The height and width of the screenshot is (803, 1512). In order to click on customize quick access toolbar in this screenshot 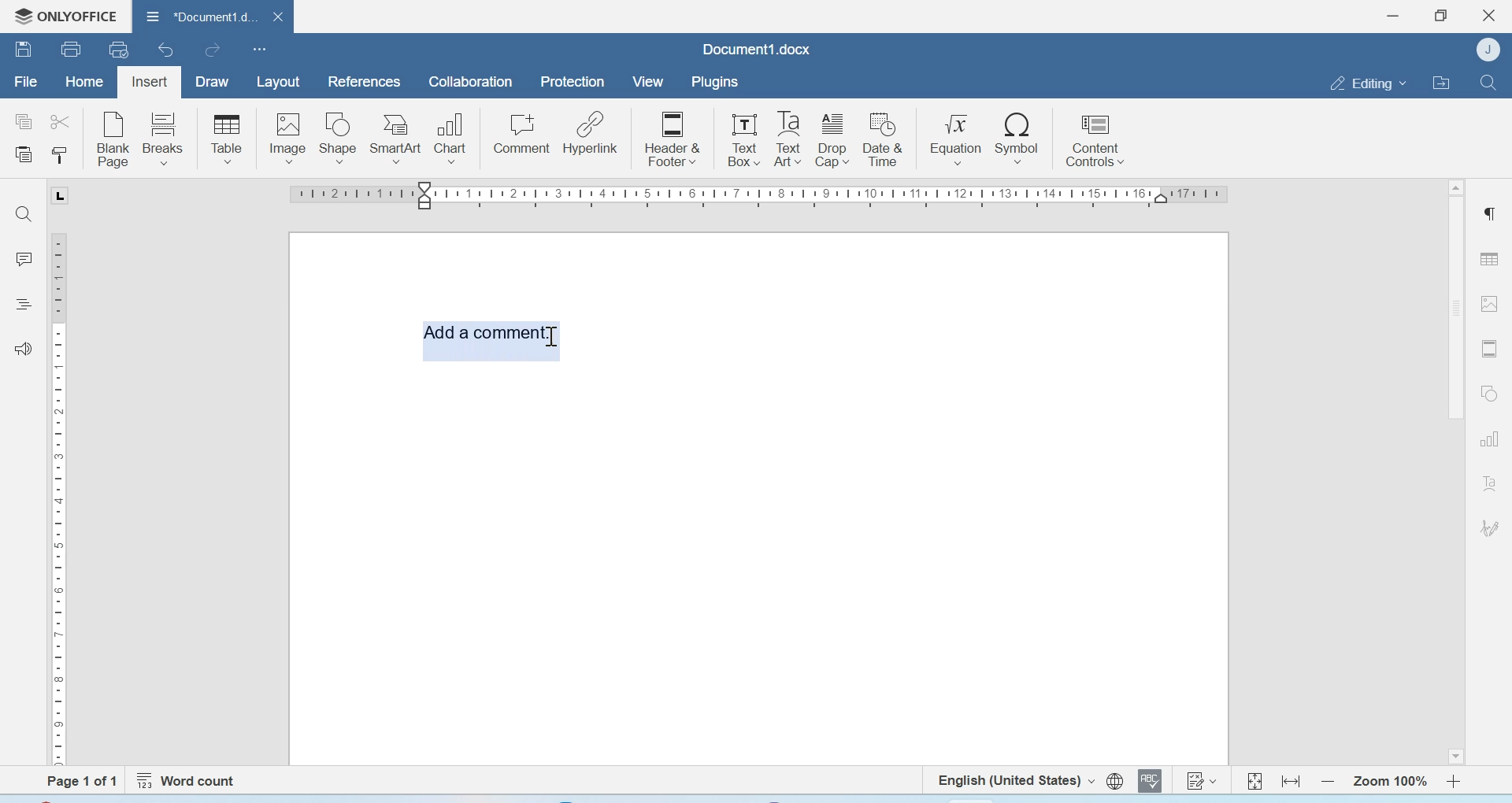, I will do `click(260, 49)`.